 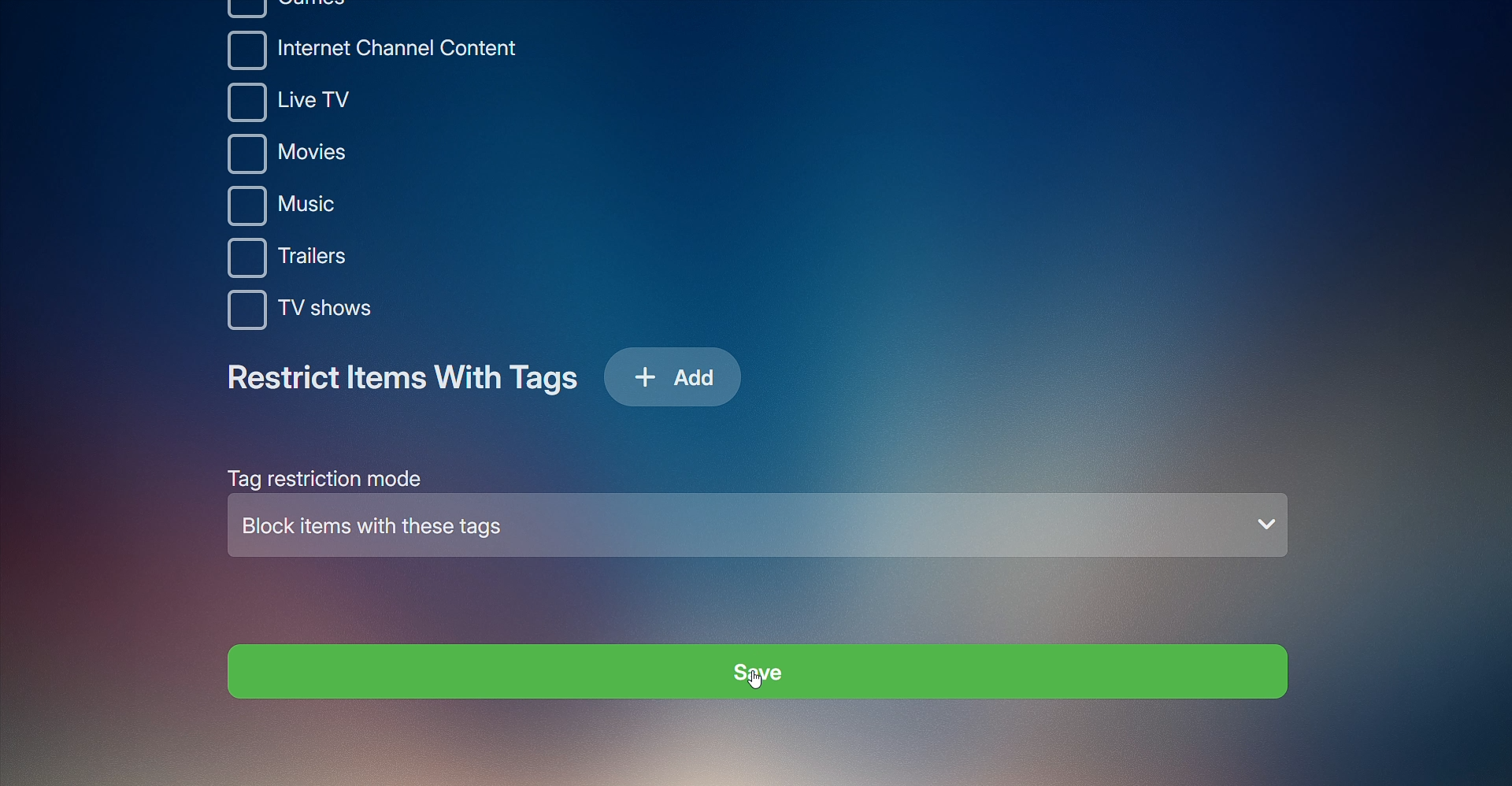 What do you see at coordinates (754, 681) in the screenshot?
I see `CURSOR` at bounding box center [754, 681].